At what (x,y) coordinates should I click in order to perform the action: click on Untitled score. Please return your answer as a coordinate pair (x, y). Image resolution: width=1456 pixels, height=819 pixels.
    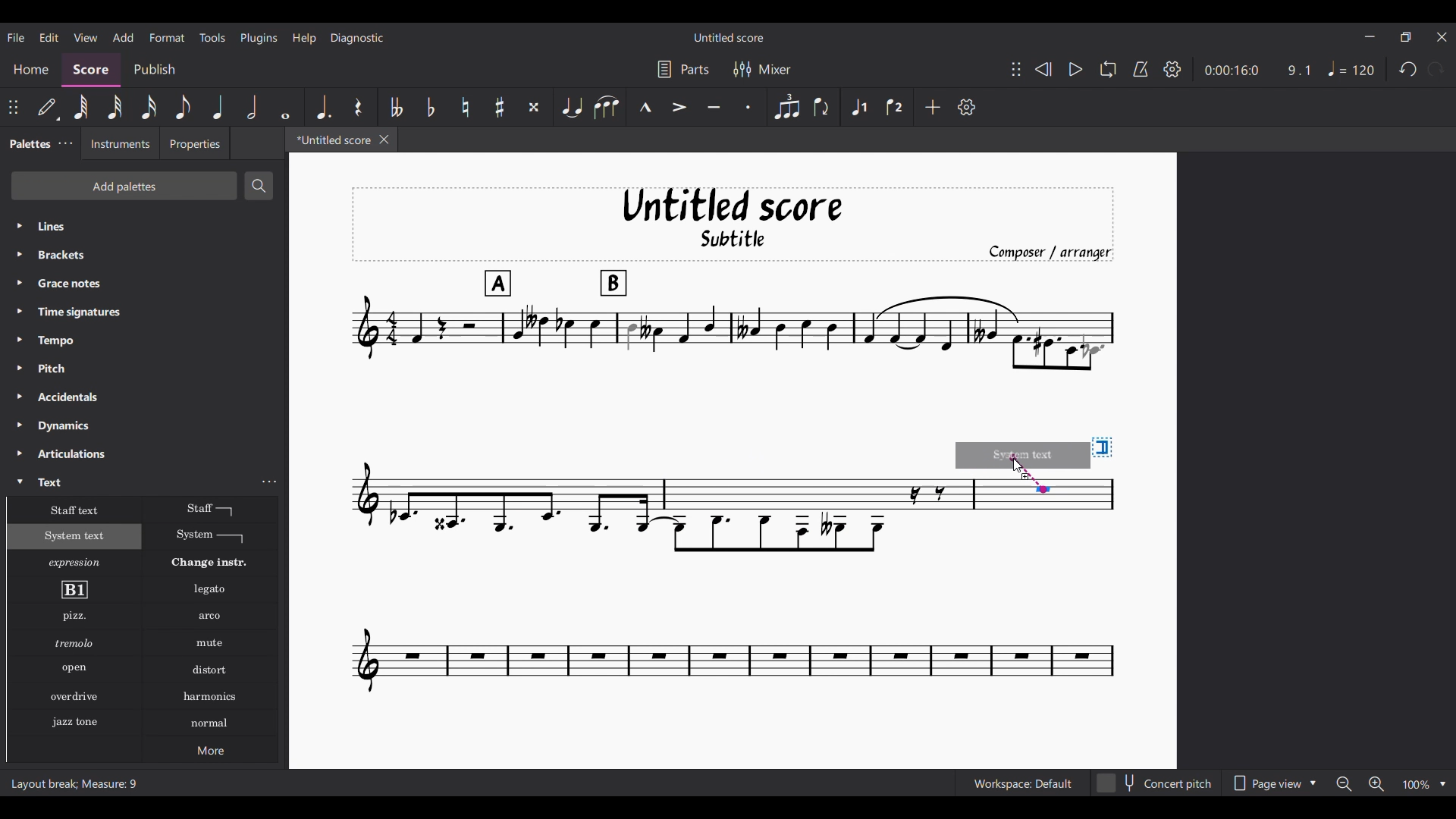
    Looking at the image, I should click on (729, 38).